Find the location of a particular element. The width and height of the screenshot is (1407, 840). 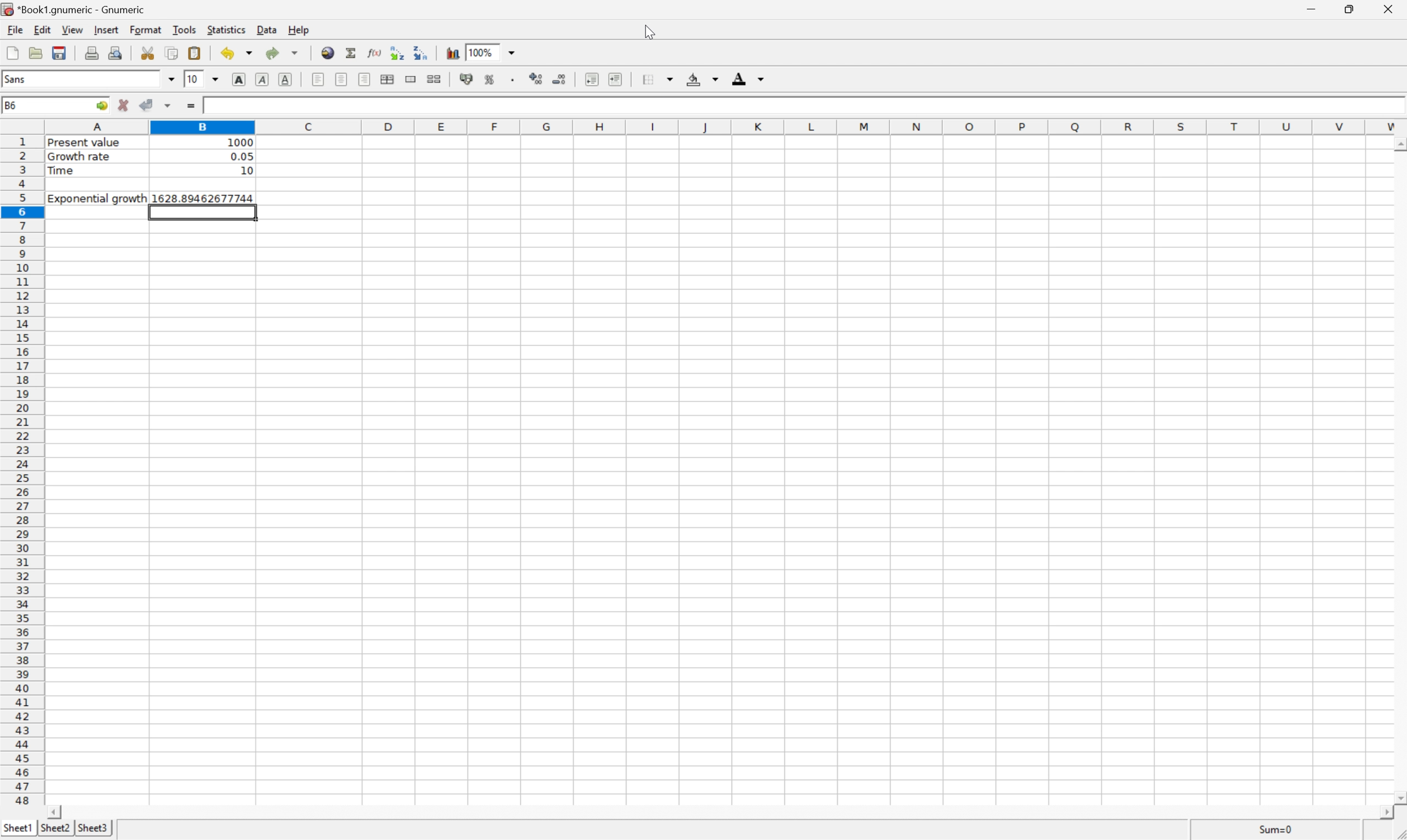

Print the current file is located at coordinates (92, 53).